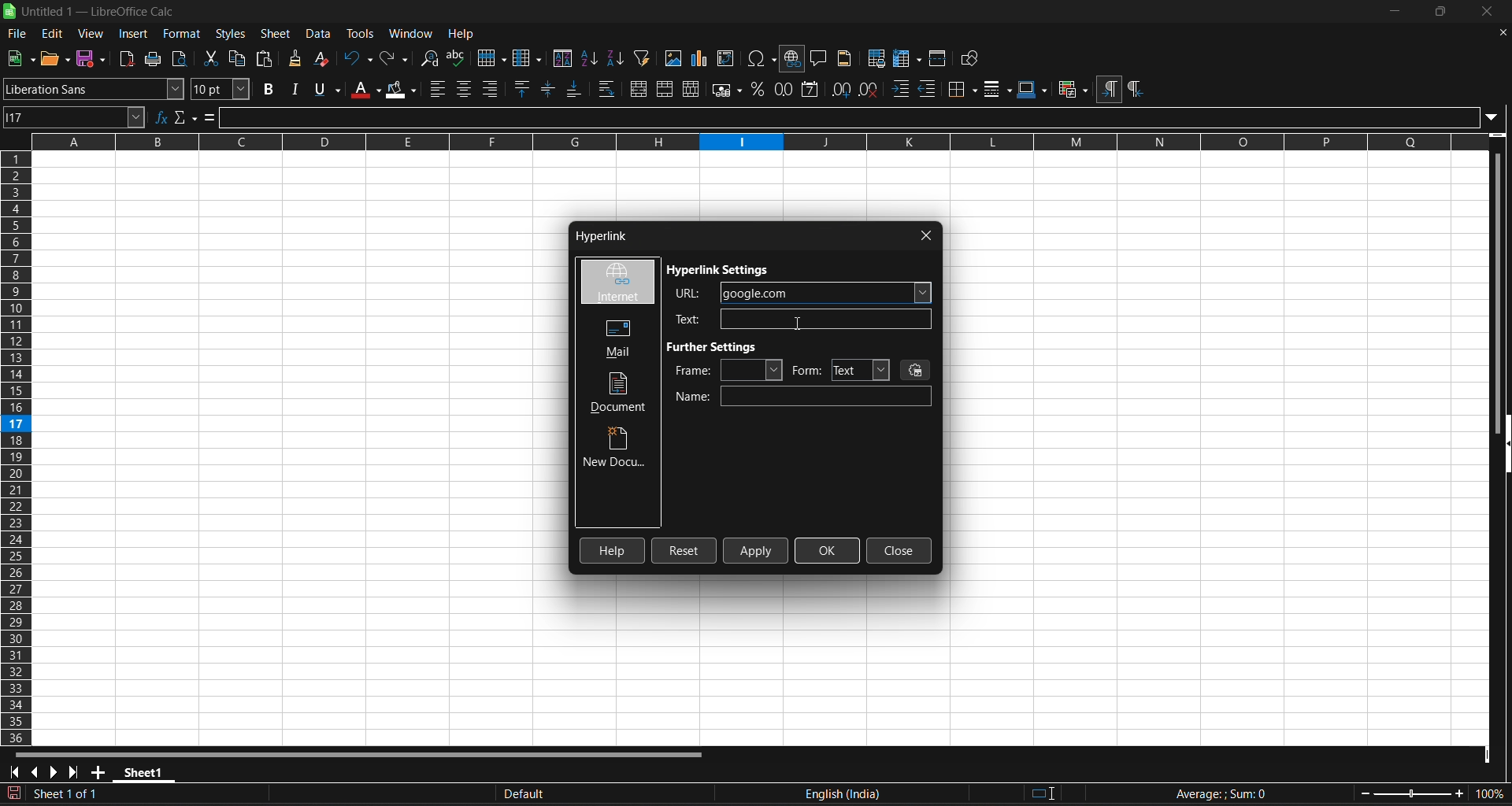  I want to click on save, so click(20, 59).